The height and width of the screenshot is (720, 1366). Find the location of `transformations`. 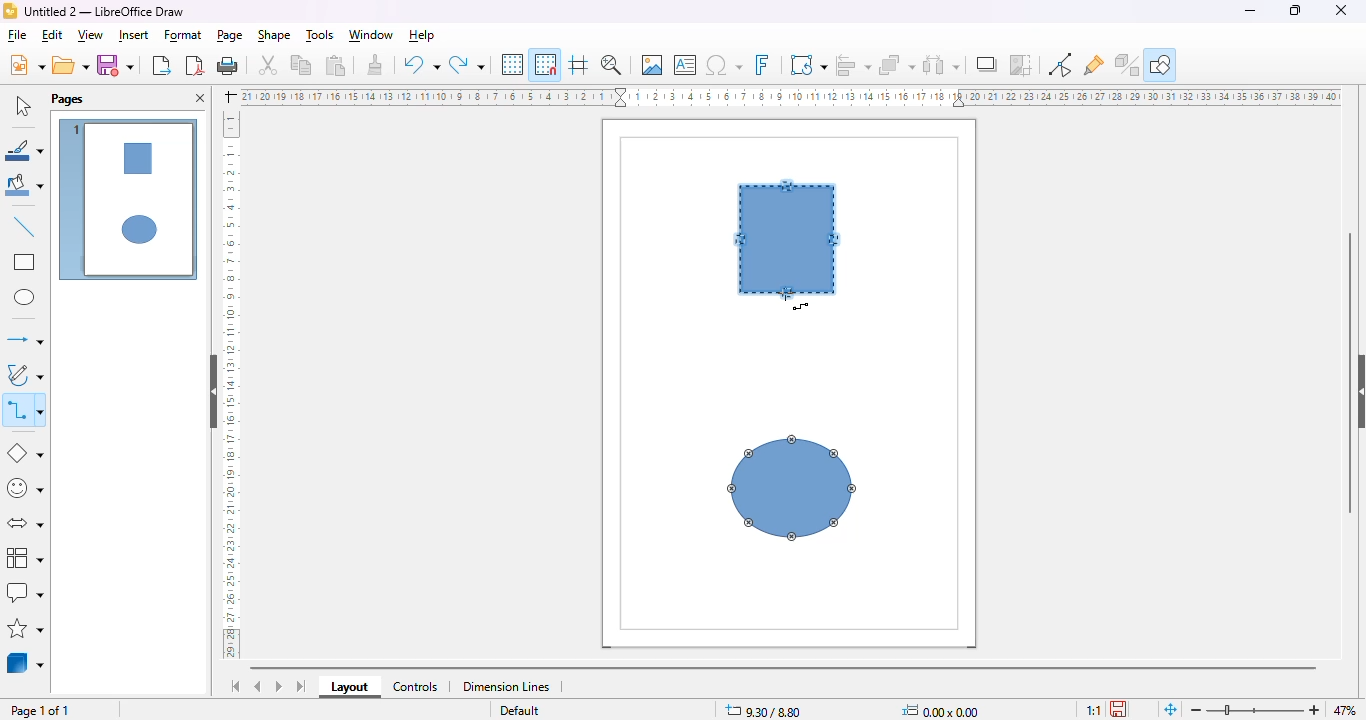

transformations is located at coordinates (808, 65).